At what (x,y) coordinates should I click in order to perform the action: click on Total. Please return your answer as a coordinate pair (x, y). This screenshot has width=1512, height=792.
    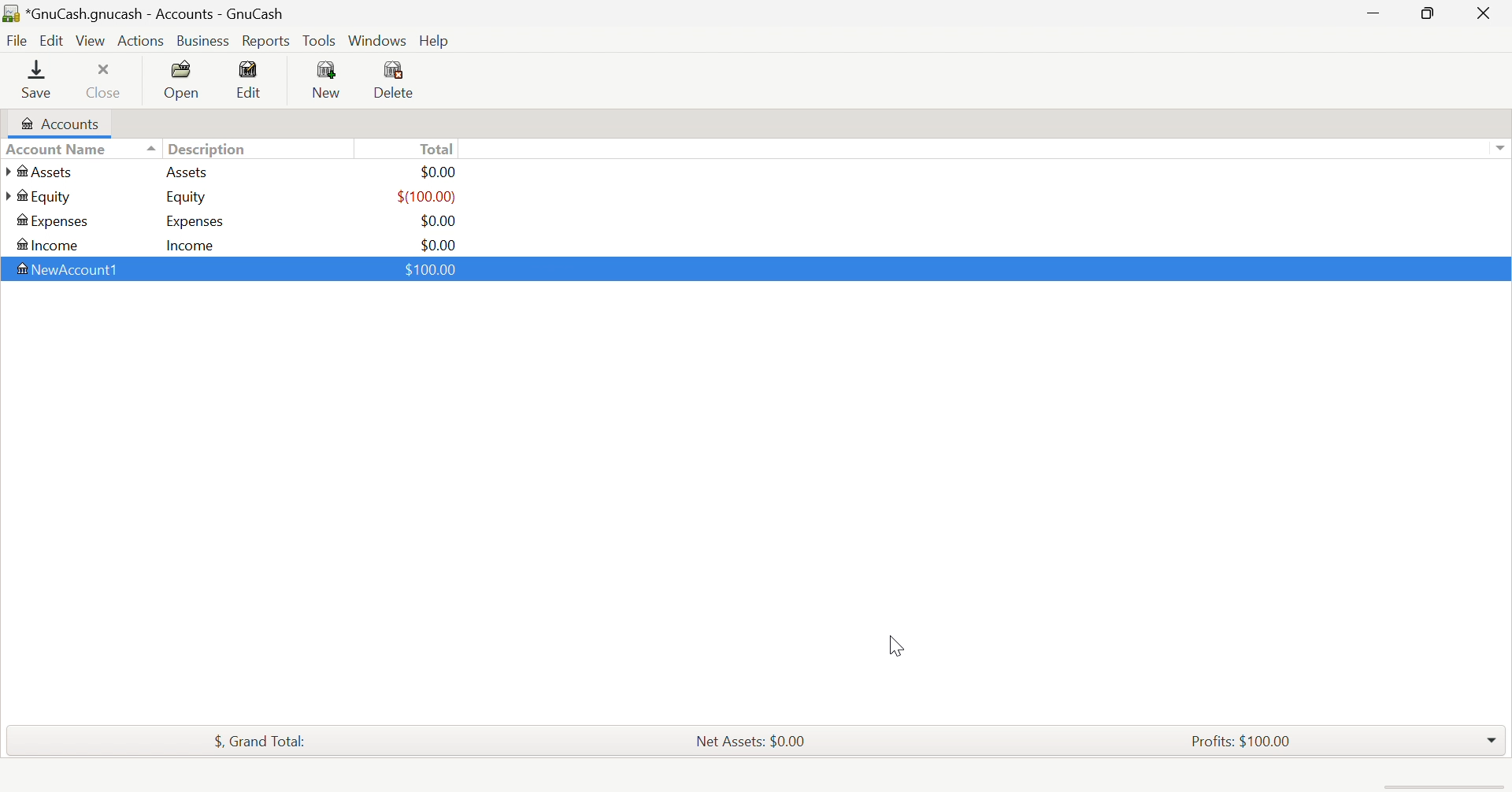
    Looking at the image, I should click on (438, 148).